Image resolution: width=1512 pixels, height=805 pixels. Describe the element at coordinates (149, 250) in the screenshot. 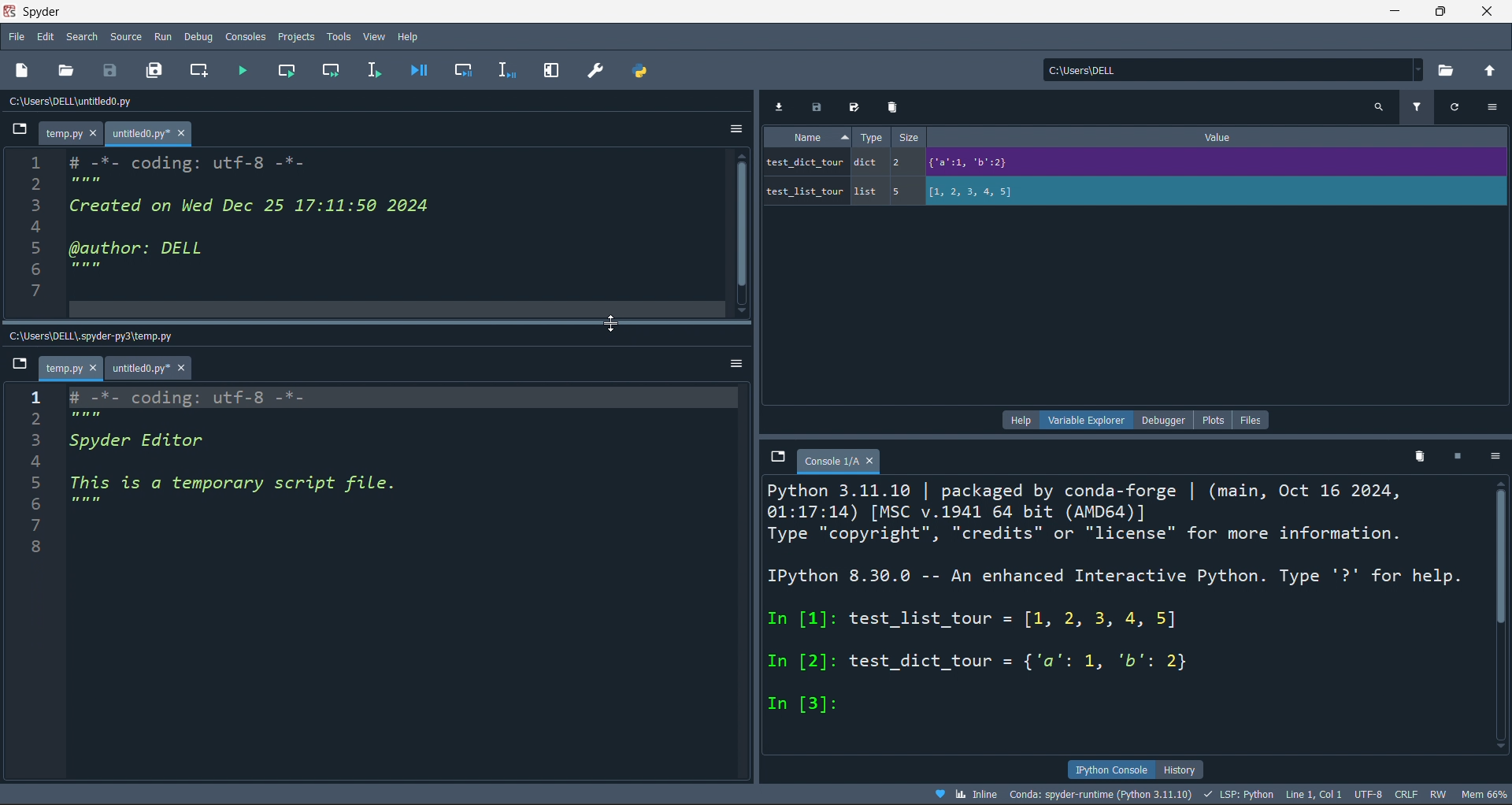

I see `5  @author: DELL` at that location.